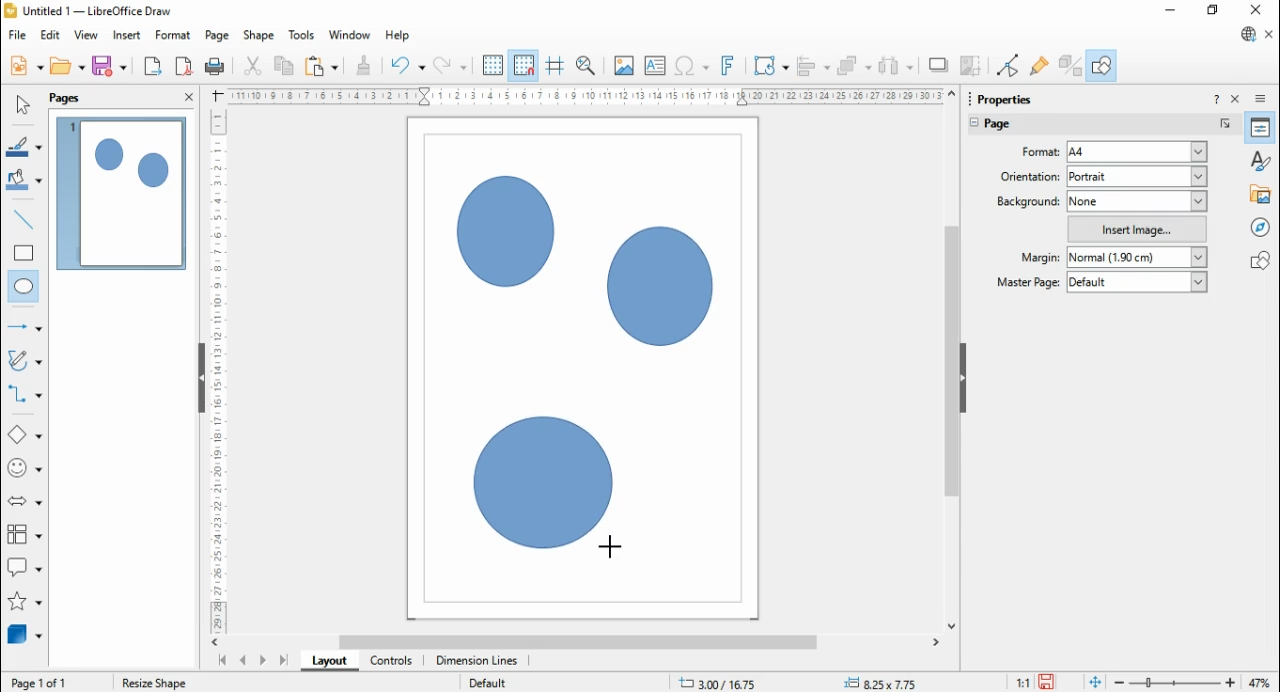 The width and height of the screenshot is (1280, 692). I want to click on scroll bar, so click(583, 642).